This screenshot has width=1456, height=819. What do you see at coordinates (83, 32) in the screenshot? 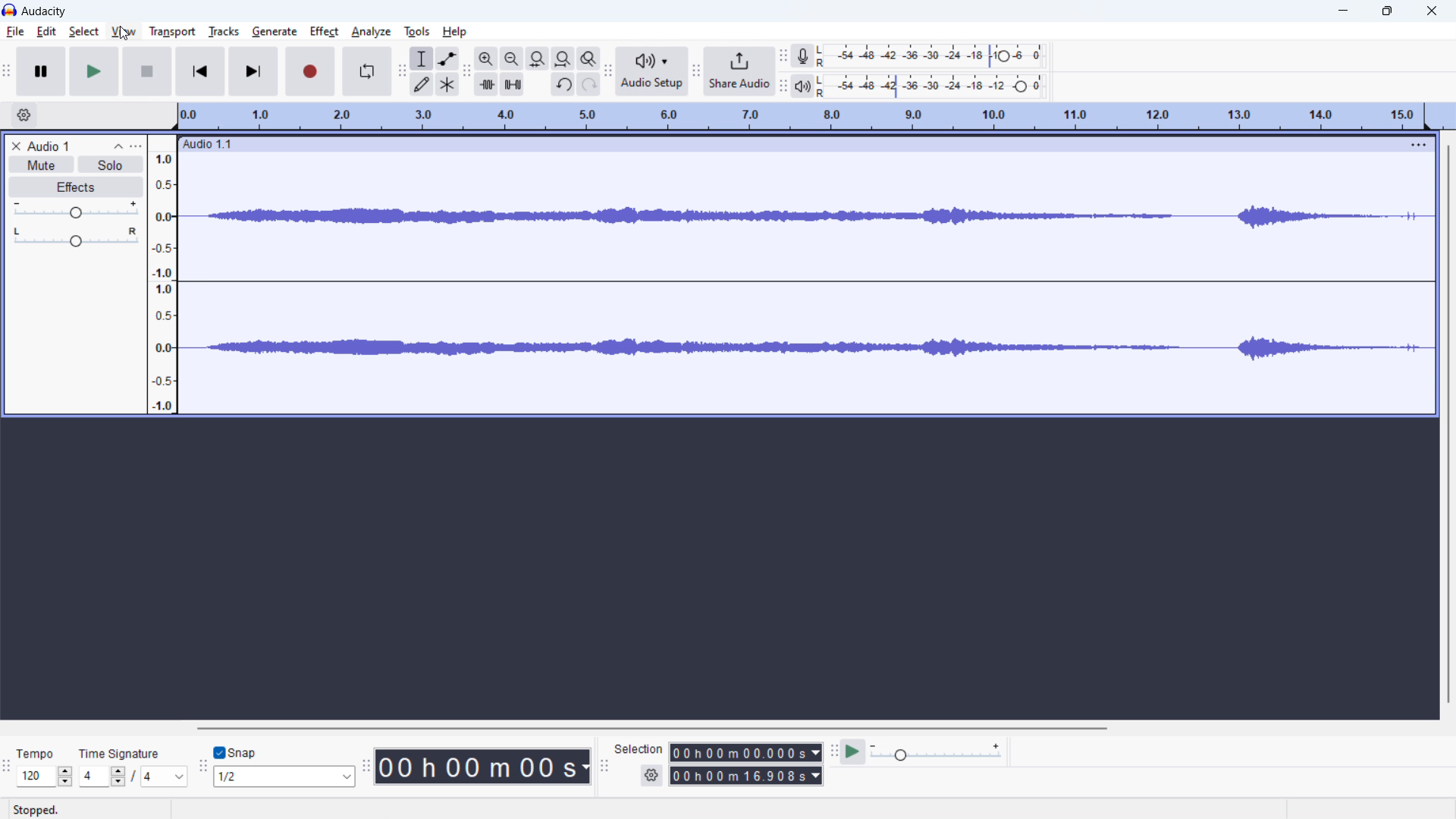
I see `select` at bounding box center [83, 32].